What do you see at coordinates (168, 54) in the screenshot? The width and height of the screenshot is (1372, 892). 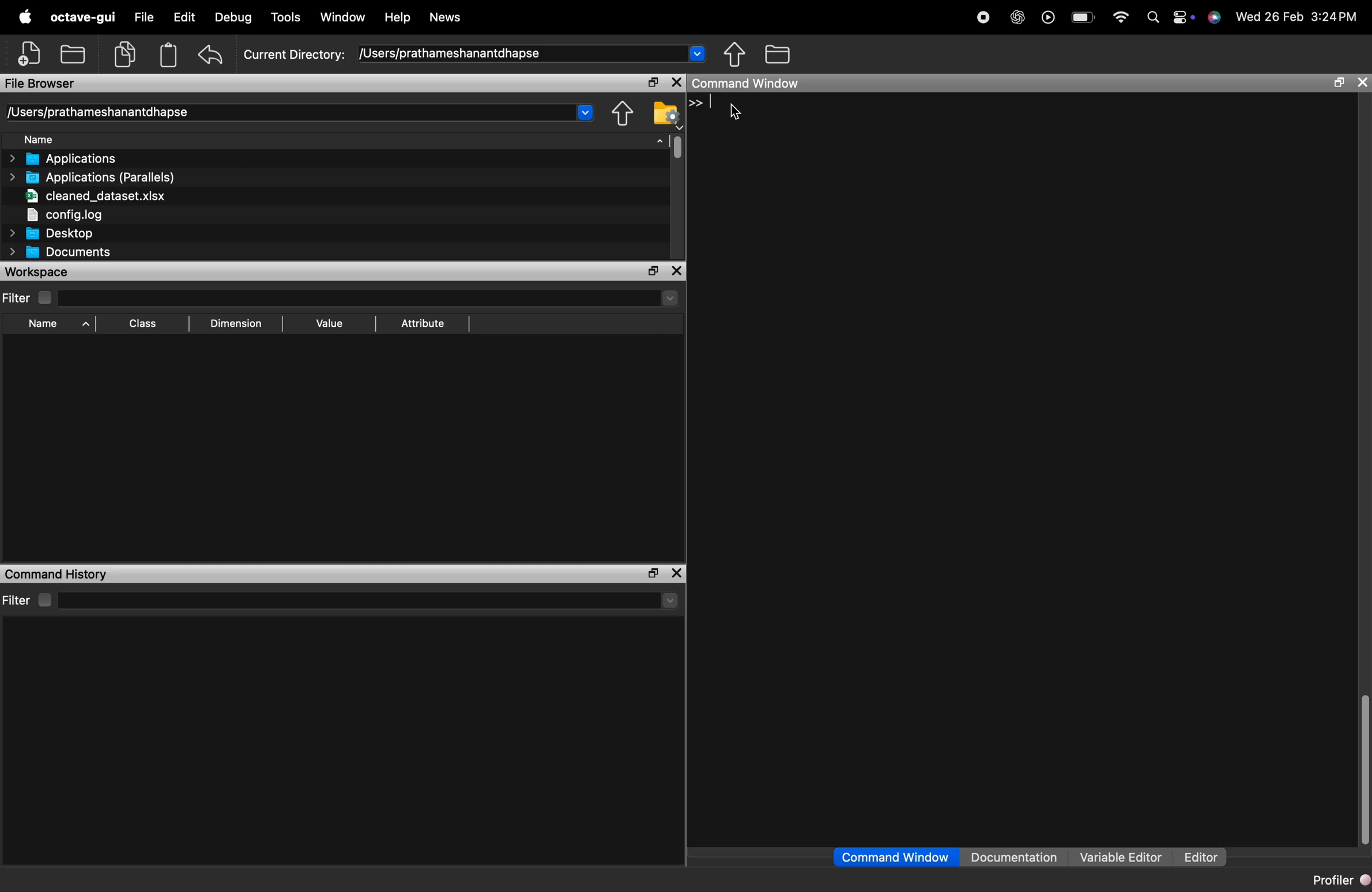 I see `Paste` at bounding box center [168, 54].